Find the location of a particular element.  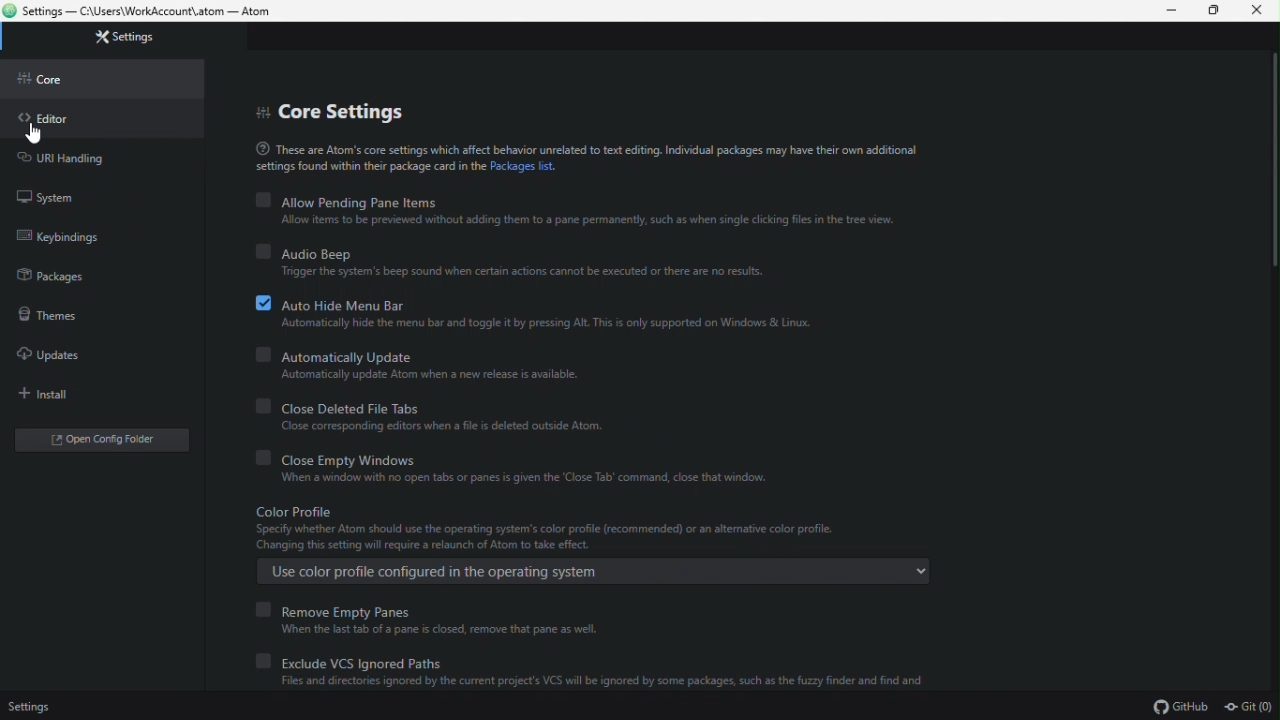

Use color profile configured in the operating system is located at coordinates (600, 569).